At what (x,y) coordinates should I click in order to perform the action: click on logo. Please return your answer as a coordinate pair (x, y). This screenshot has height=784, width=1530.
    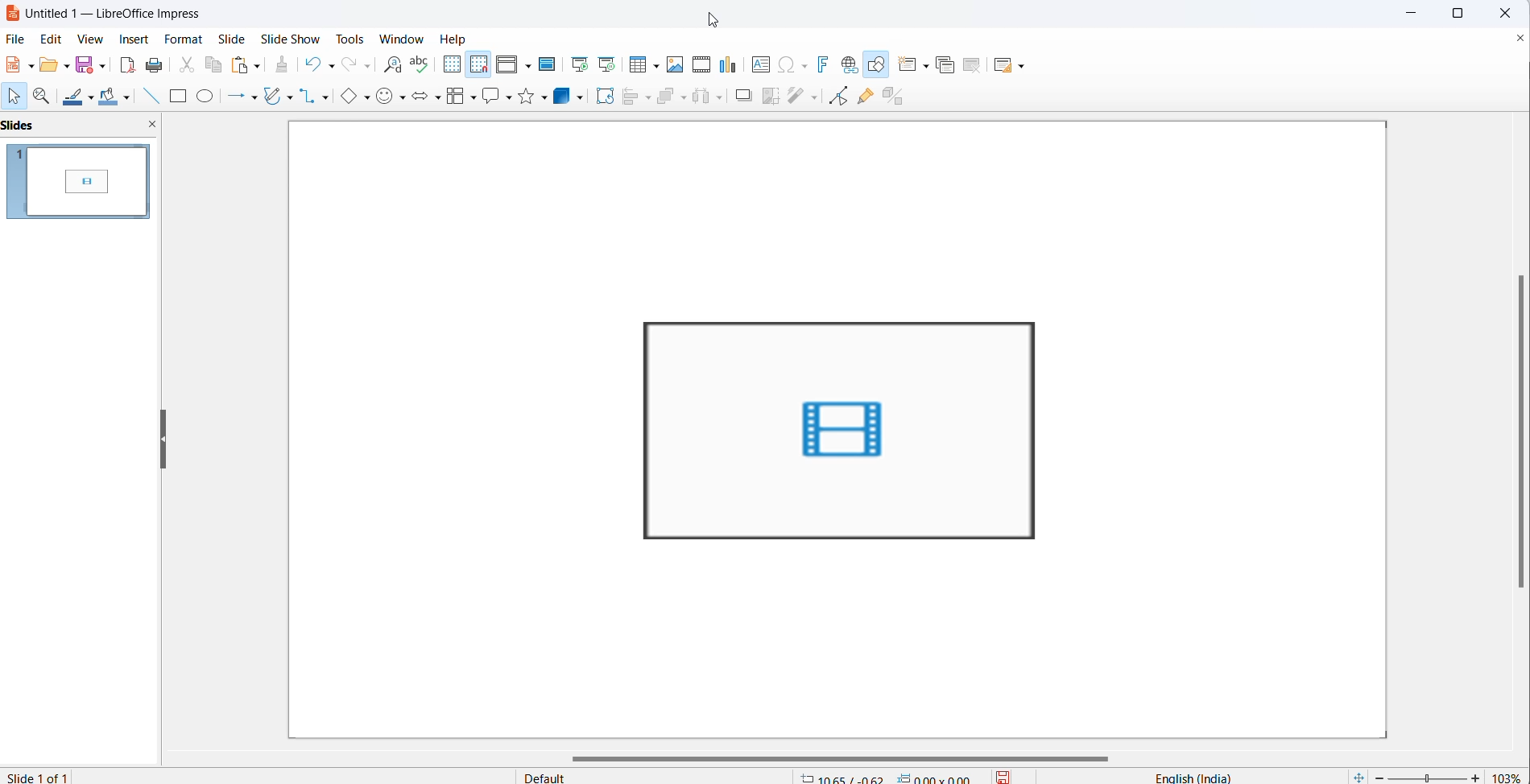
    Looking at the image, I should click on (11, 14).